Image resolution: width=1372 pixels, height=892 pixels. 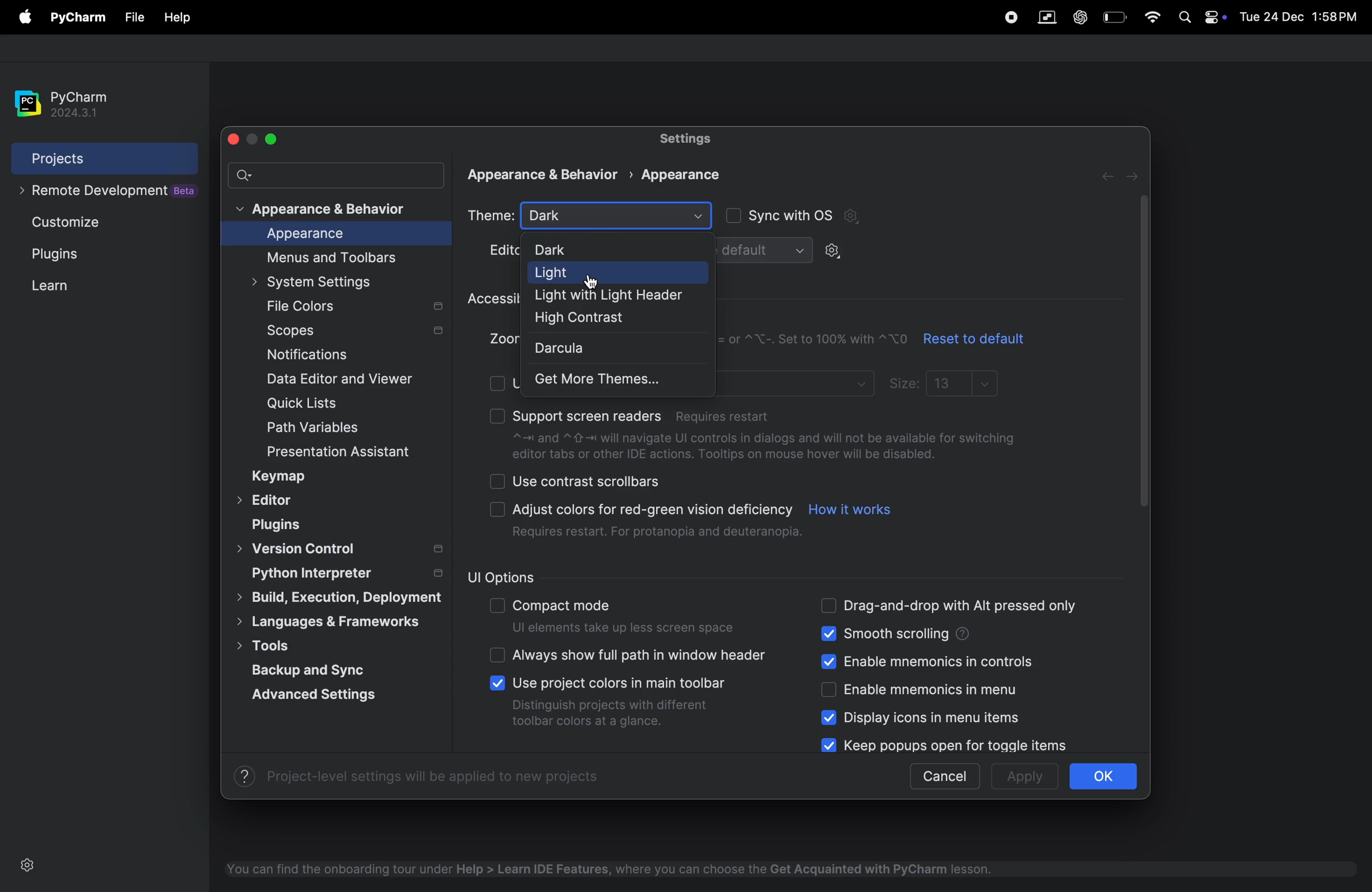 I want to click on check boxes, so click(x=497, y=653).